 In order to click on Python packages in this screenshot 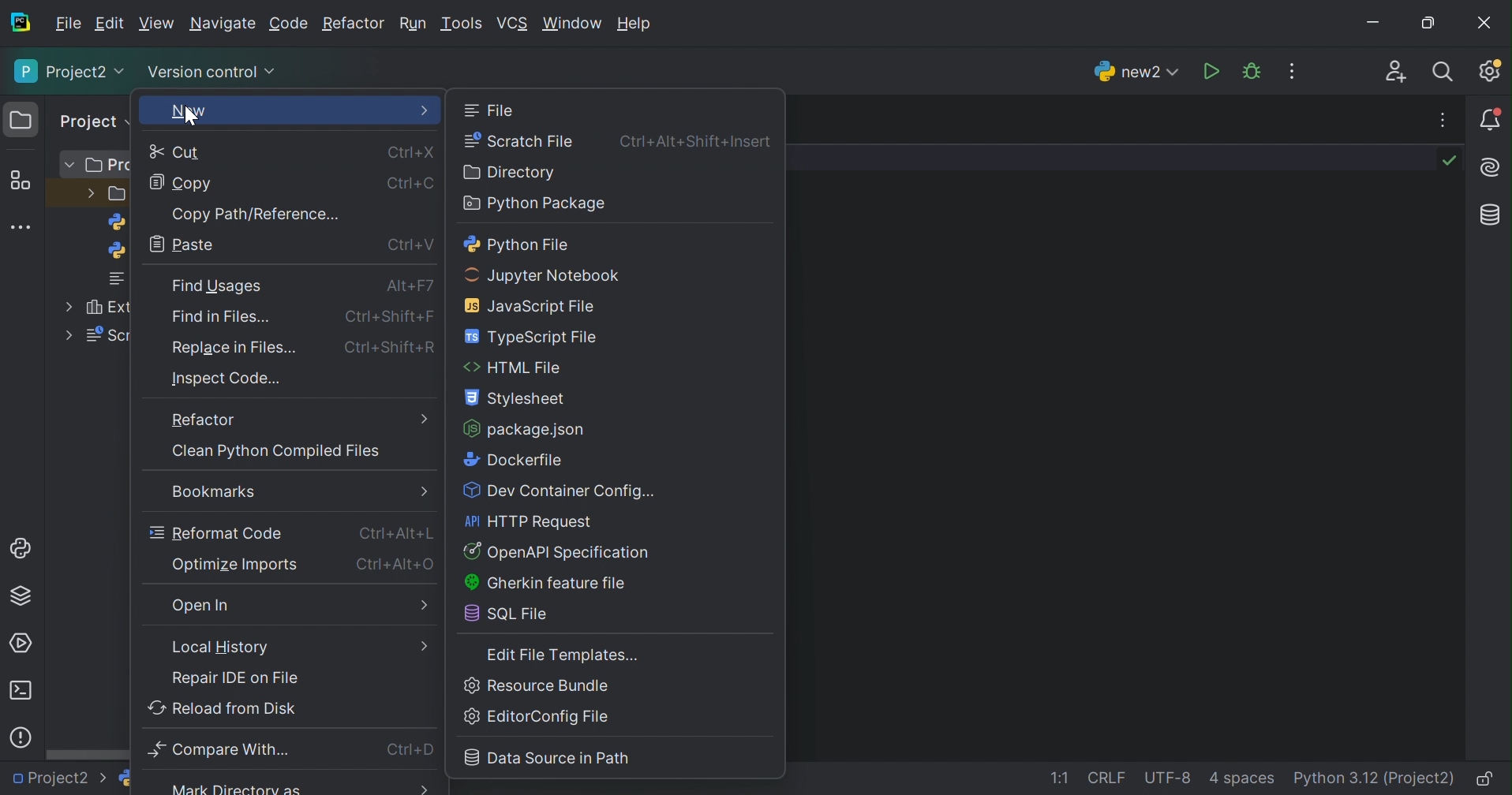, I will do `click(536, 203)`.